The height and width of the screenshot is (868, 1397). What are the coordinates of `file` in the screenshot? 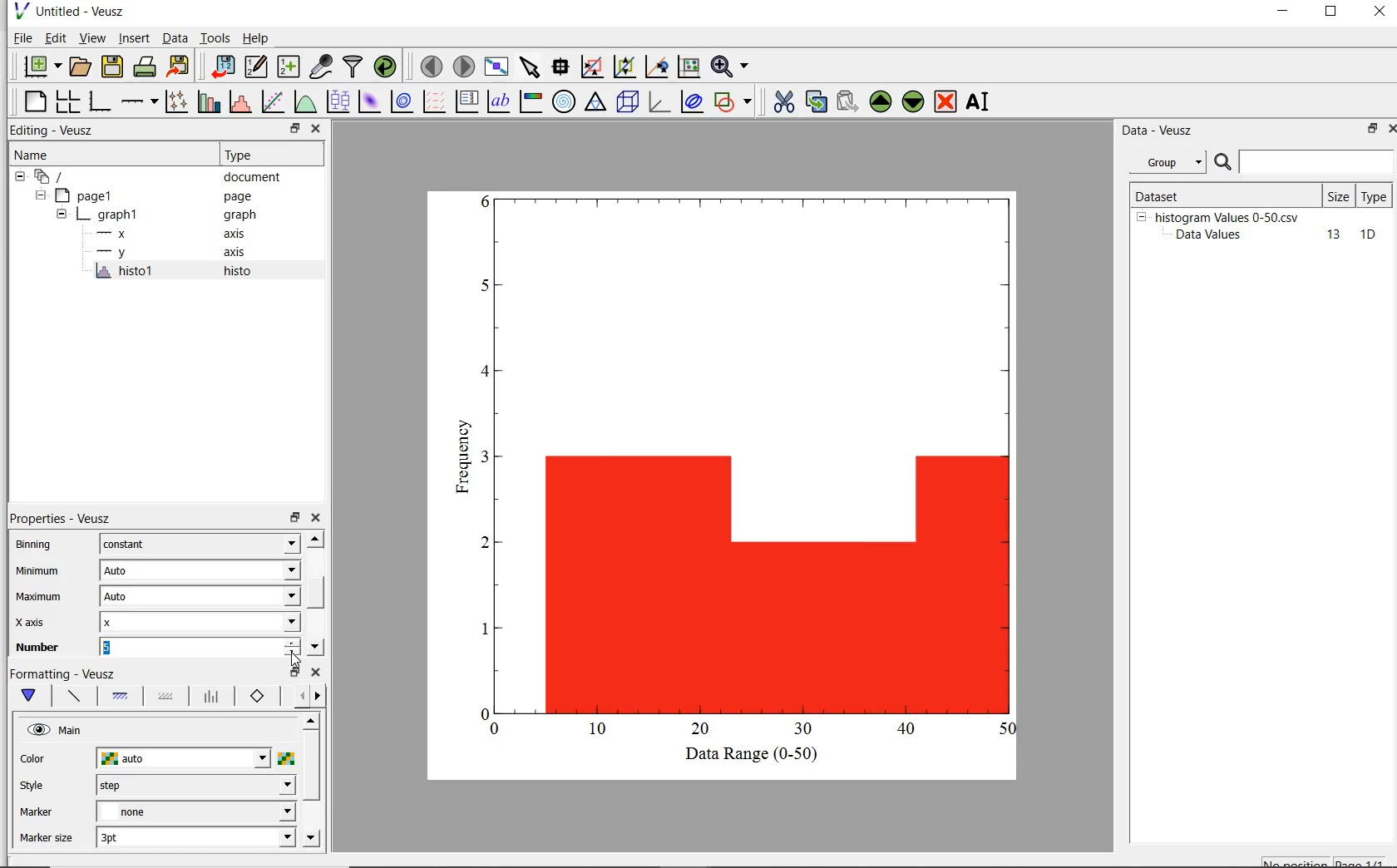 It's located at (22, 37).